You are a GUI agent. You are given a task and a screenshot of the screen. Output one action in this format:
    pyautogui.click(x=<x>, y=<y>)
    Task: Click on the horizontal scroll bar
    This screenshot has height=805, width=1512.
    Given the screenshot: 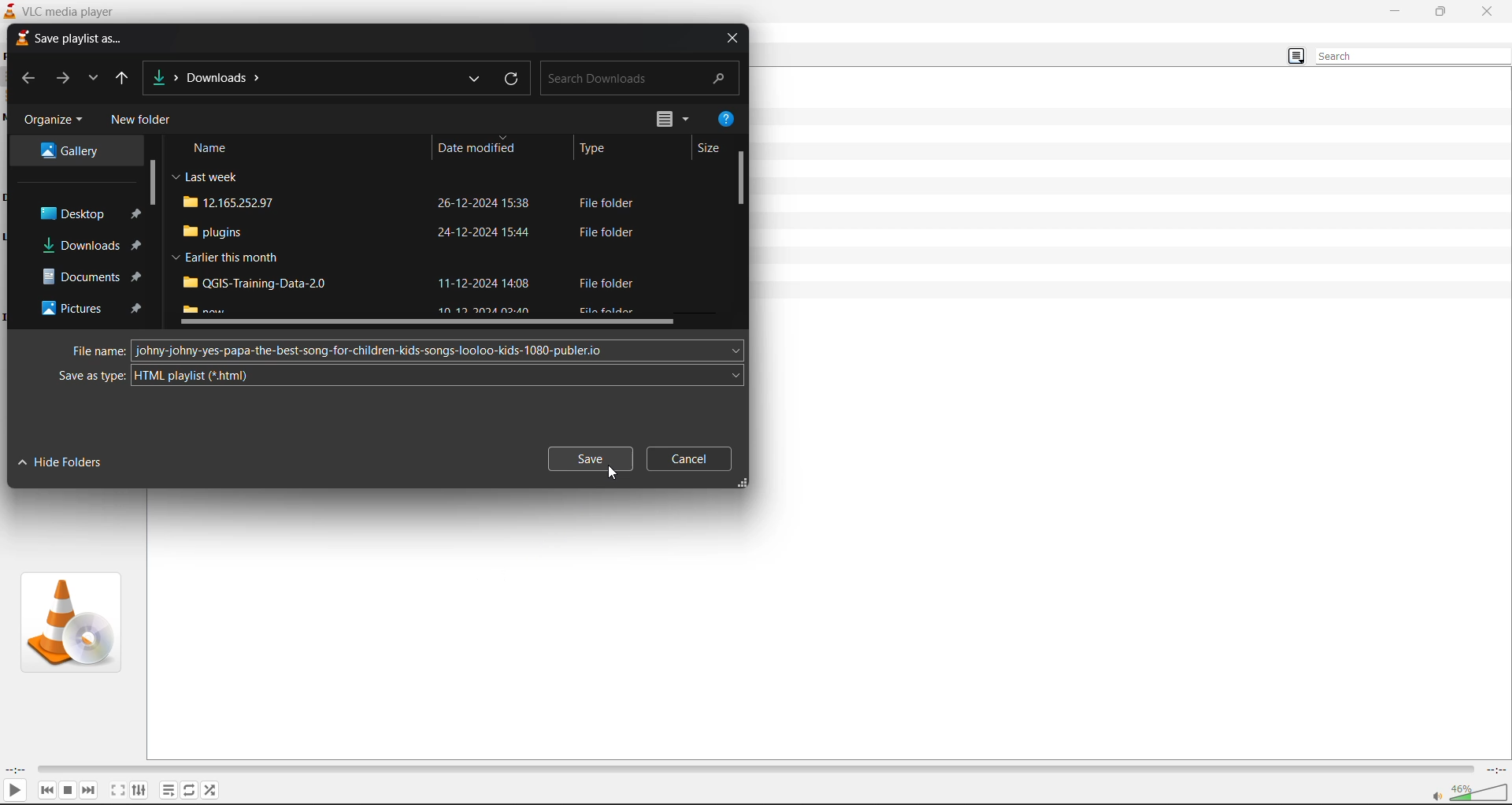 What is the action you would take?
    pyautogui.click(x=428, y=316)
    